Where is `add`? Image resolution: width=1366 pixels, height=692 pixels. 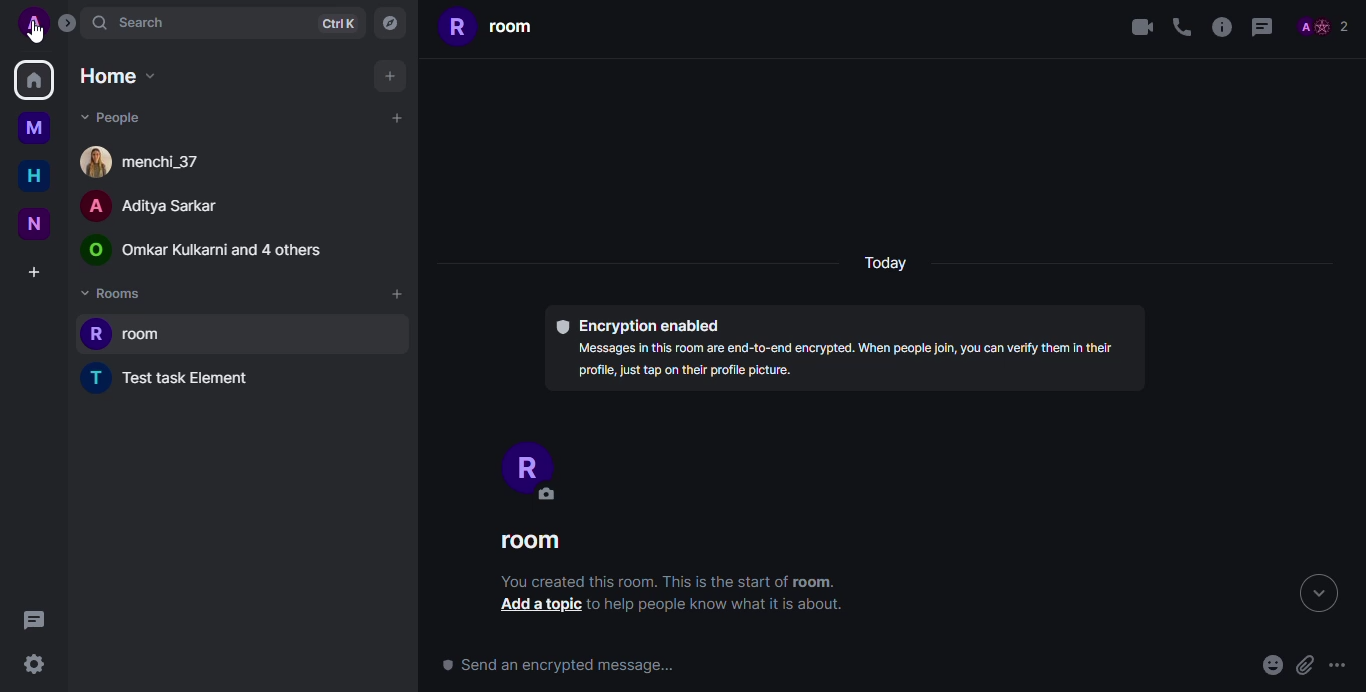 add is located at coordinates (393, 117).